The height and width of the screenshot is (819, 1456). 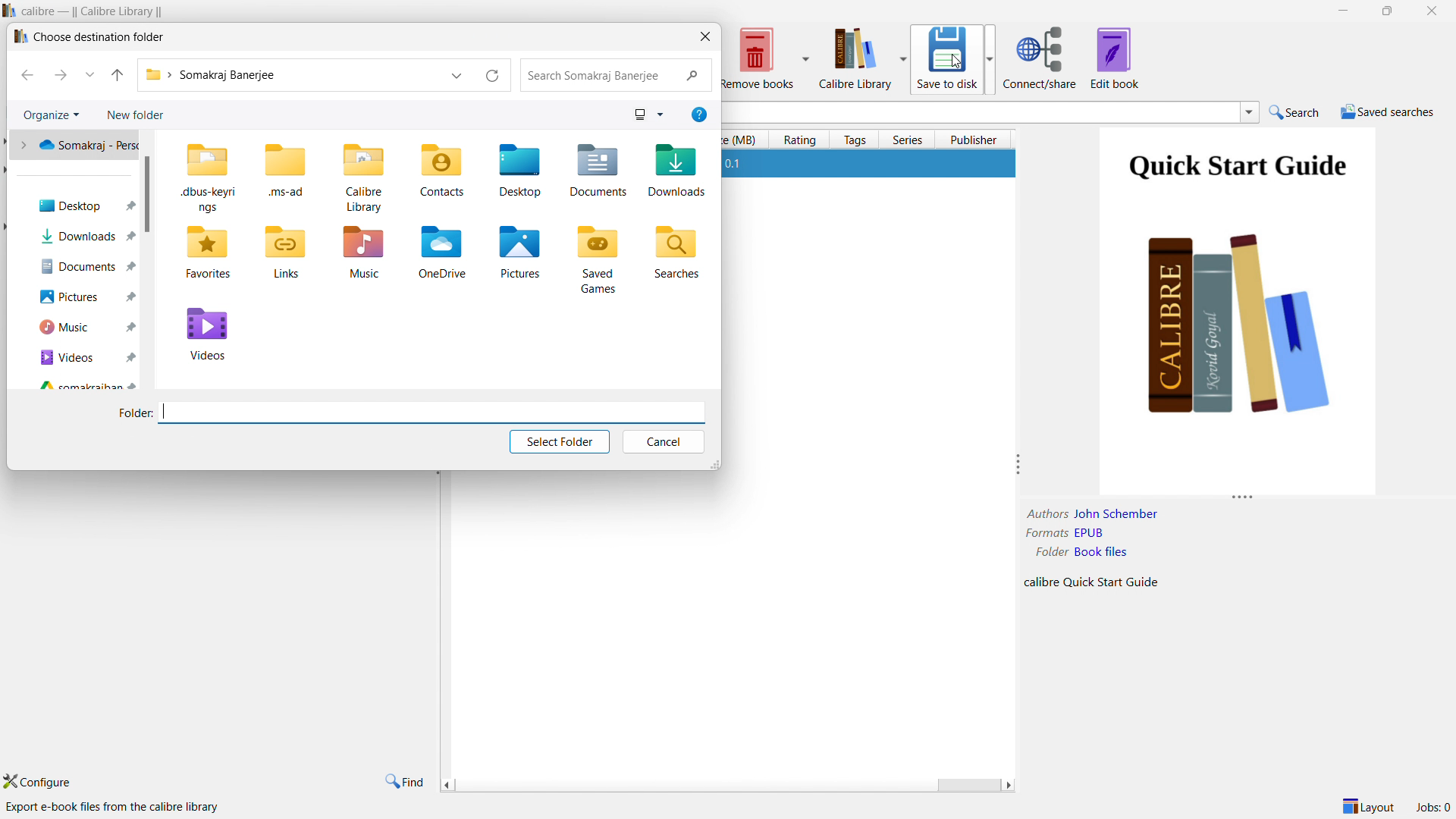 I want to click on refresh, so click(x=493, y=78).